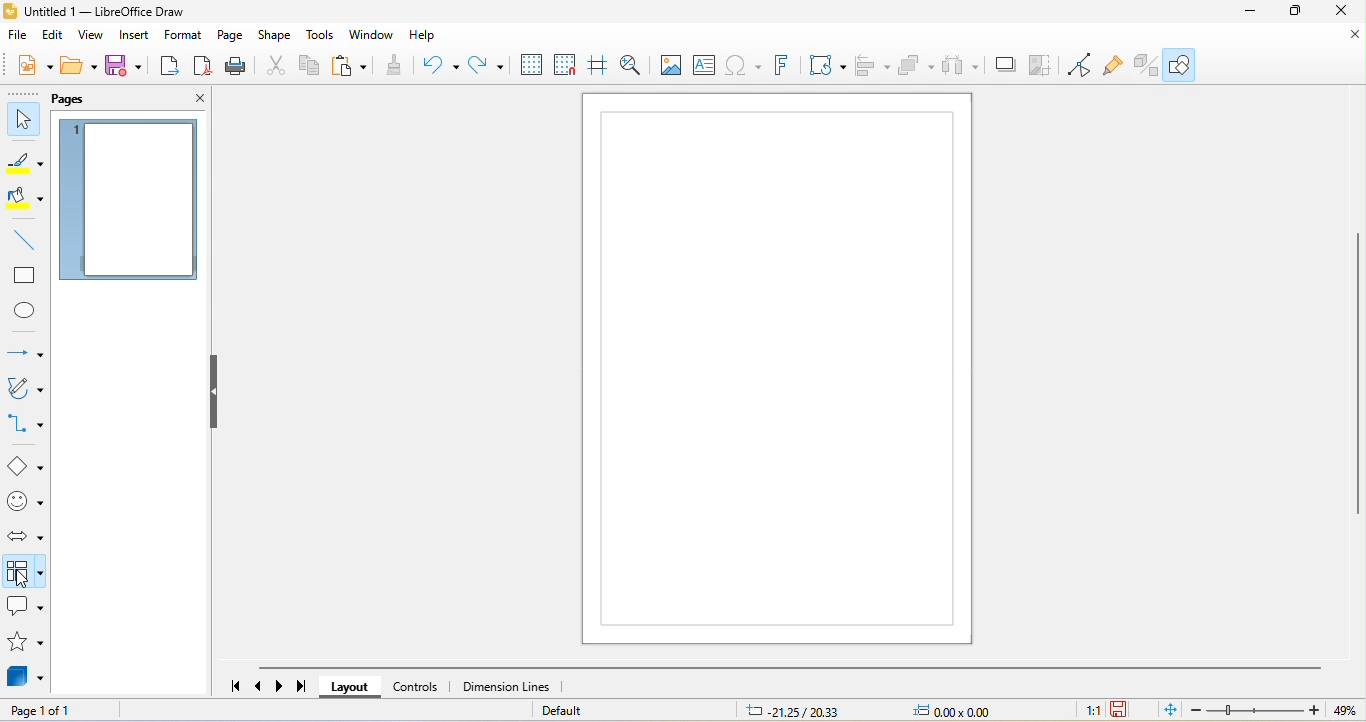 The height and width of the screenshot is (722, 1366). What do you see at coordinates (1165, 709) in the screenshot?
I see `fit page to current window` at bounding box center [1165, 709].